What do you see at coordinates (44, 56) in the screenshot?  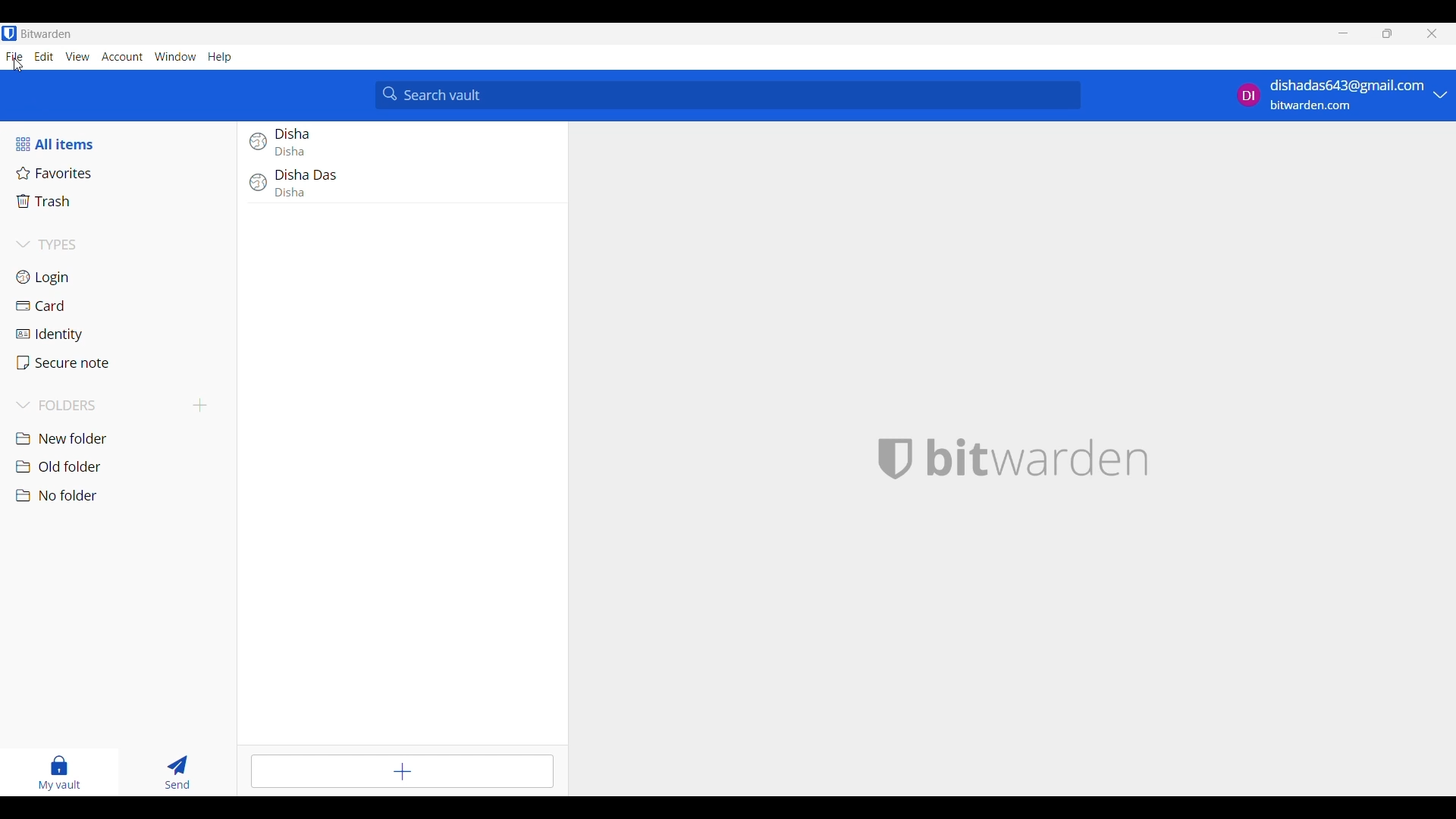 I see `Edit menu` at bounding box center [44, 56].